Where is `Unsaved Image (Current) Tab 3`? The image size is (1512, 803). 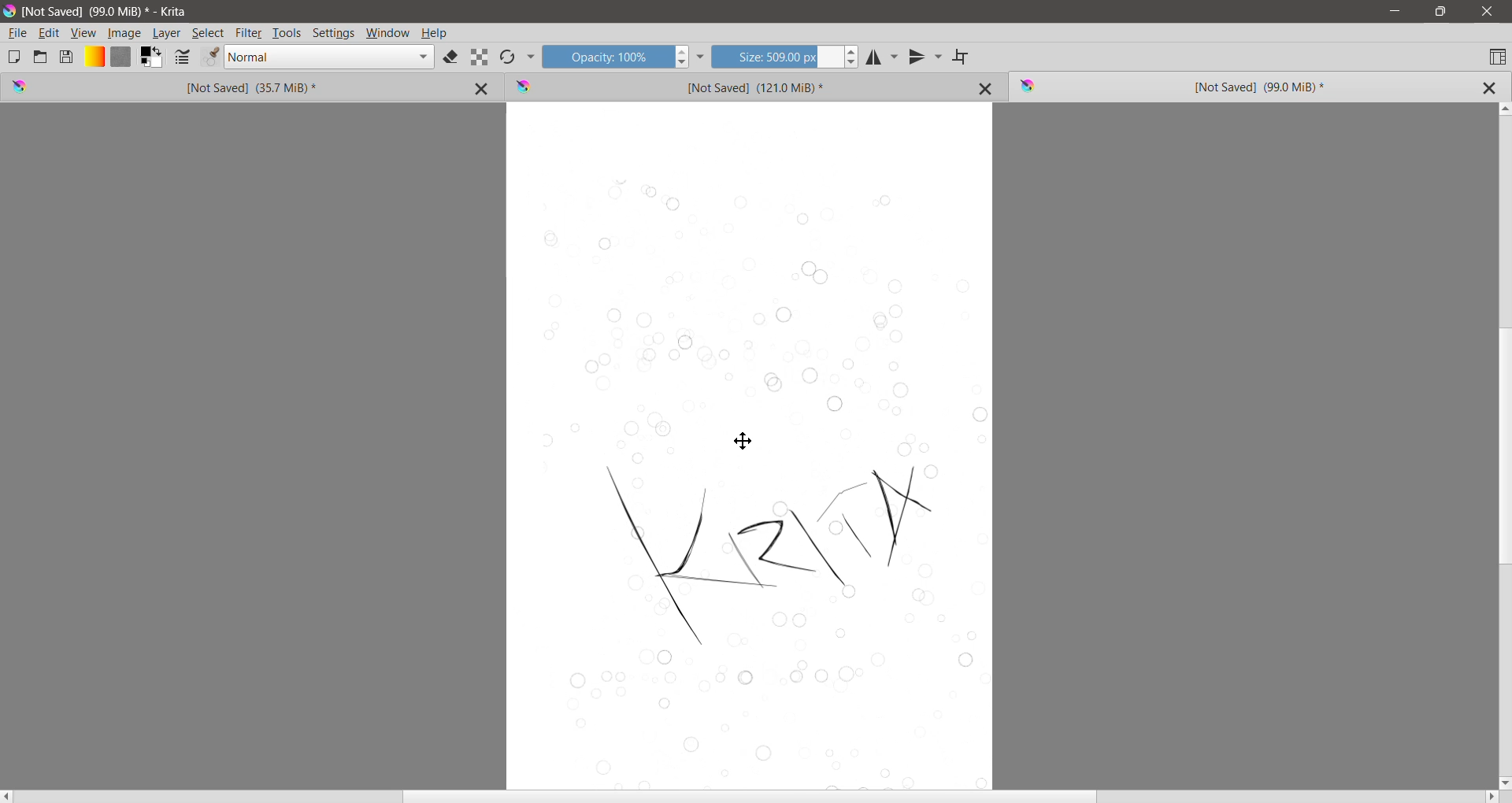 Unsaved Image (Current) Tab 3 is located at coordinates (1221, 87).